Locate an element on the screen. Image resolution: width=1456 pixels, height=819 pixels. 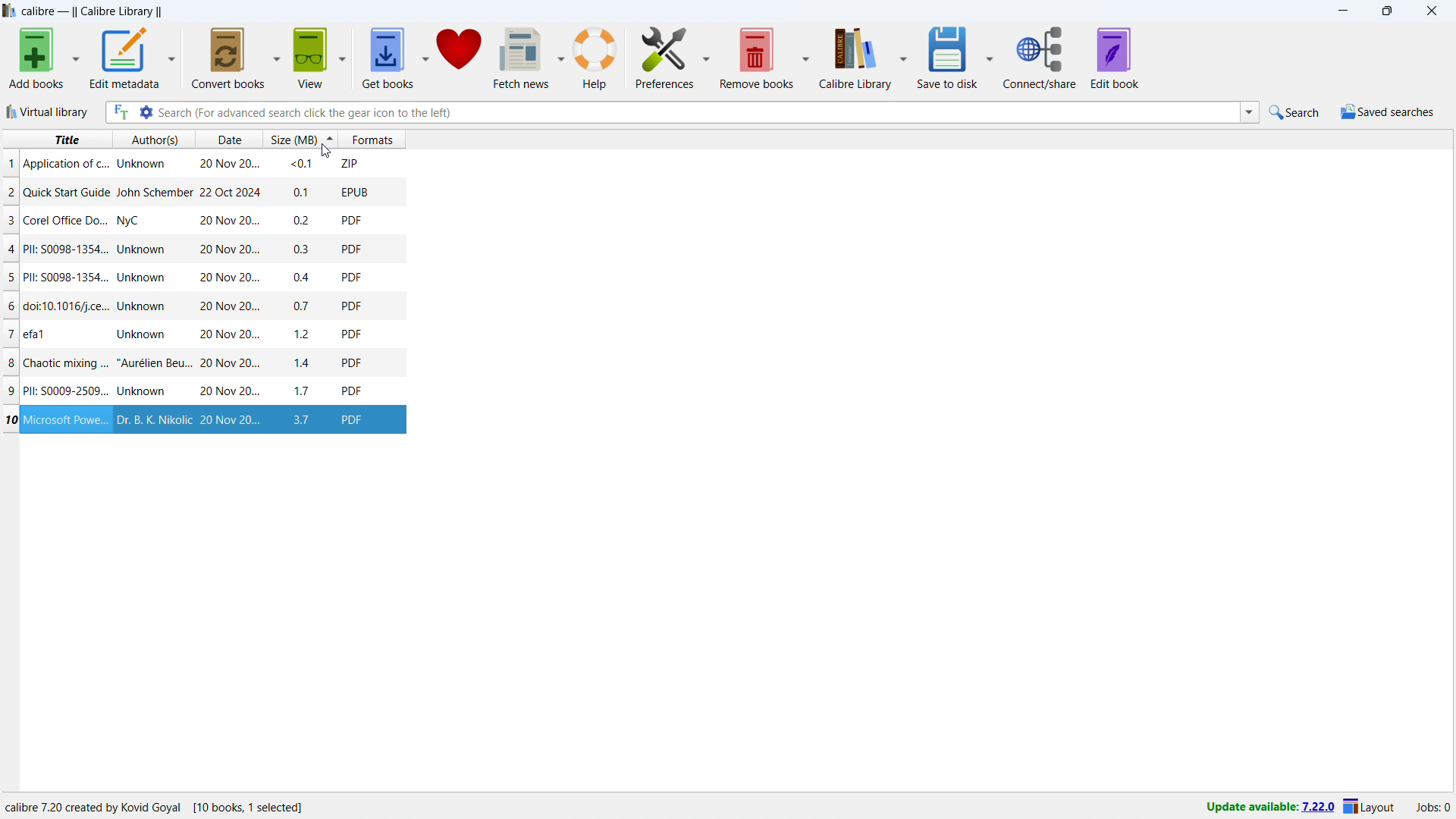
convert books options is located at coordinates (278, 57).